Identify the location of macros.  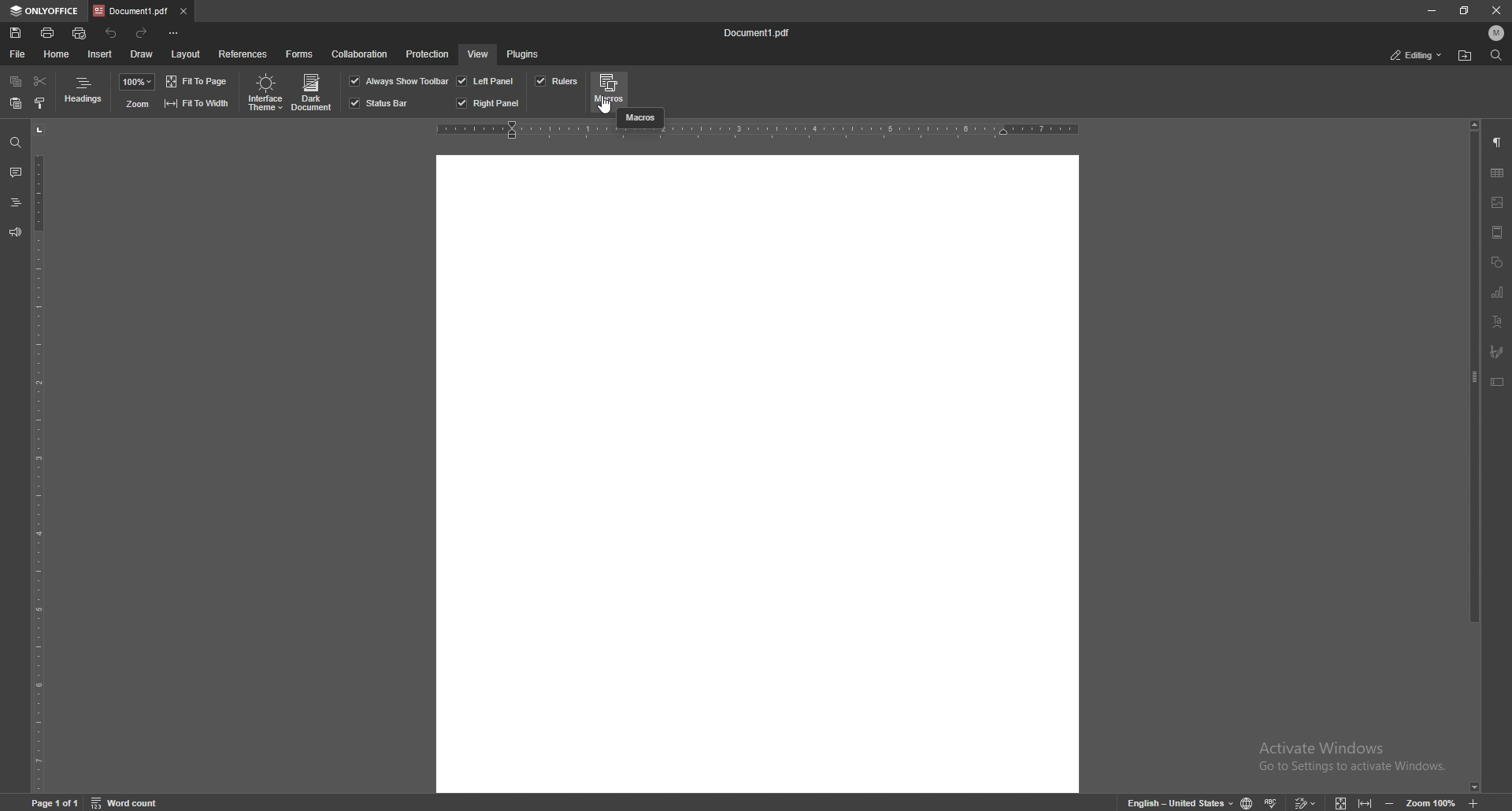
(641, 118).